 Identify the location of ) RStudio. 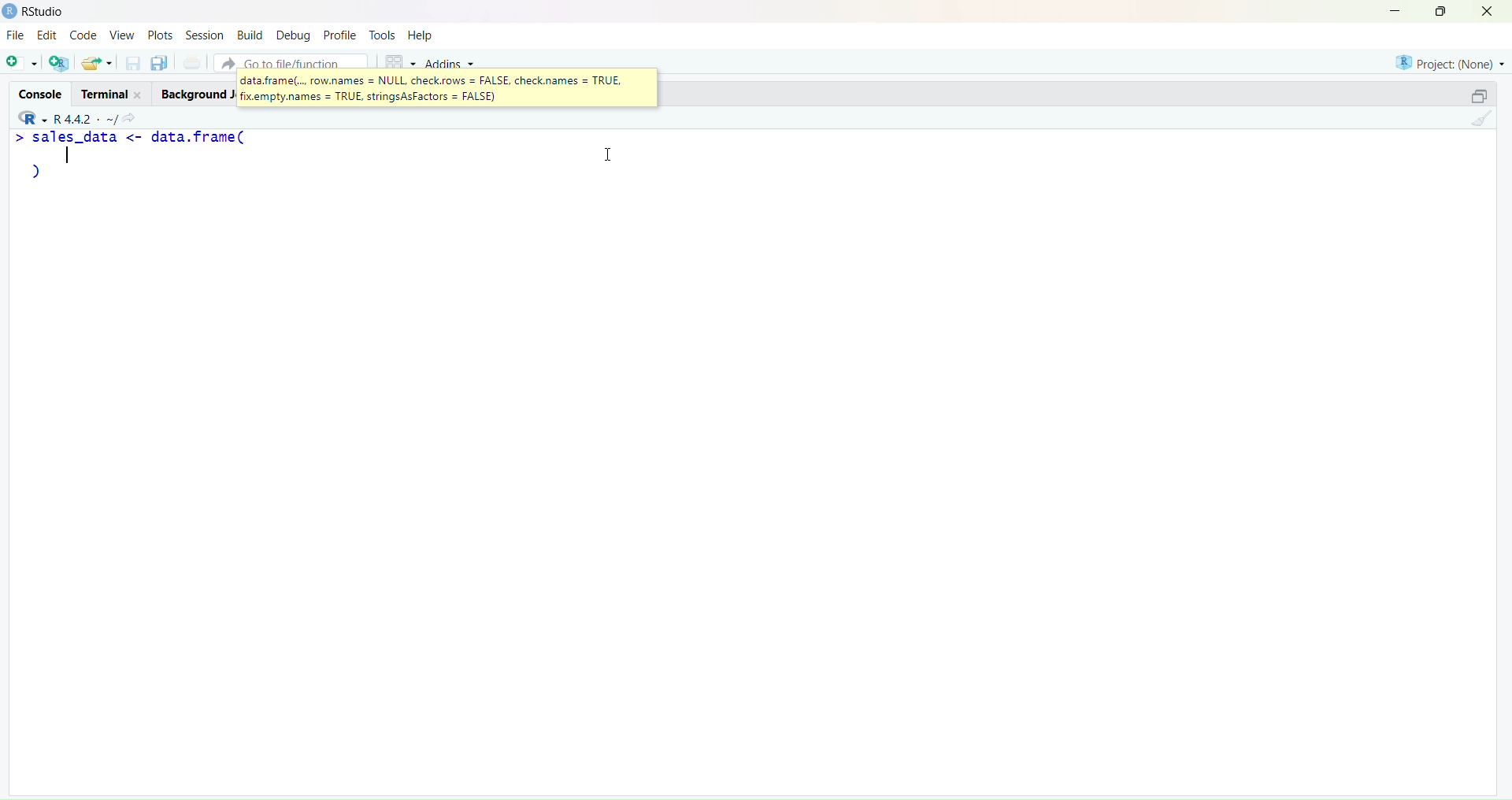
(40, 9).